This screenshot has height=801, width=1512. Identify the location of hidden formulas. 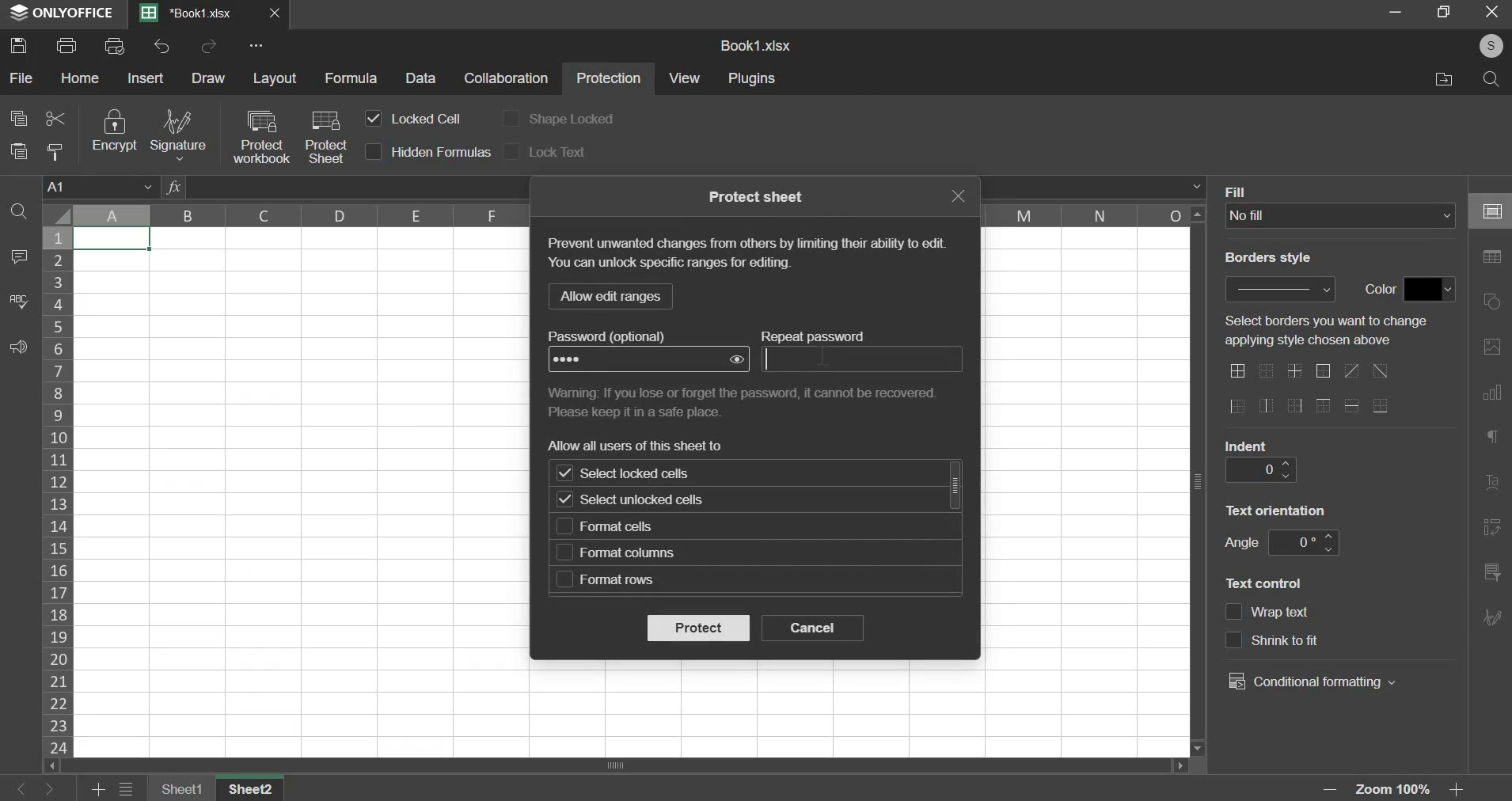
(442, 152).